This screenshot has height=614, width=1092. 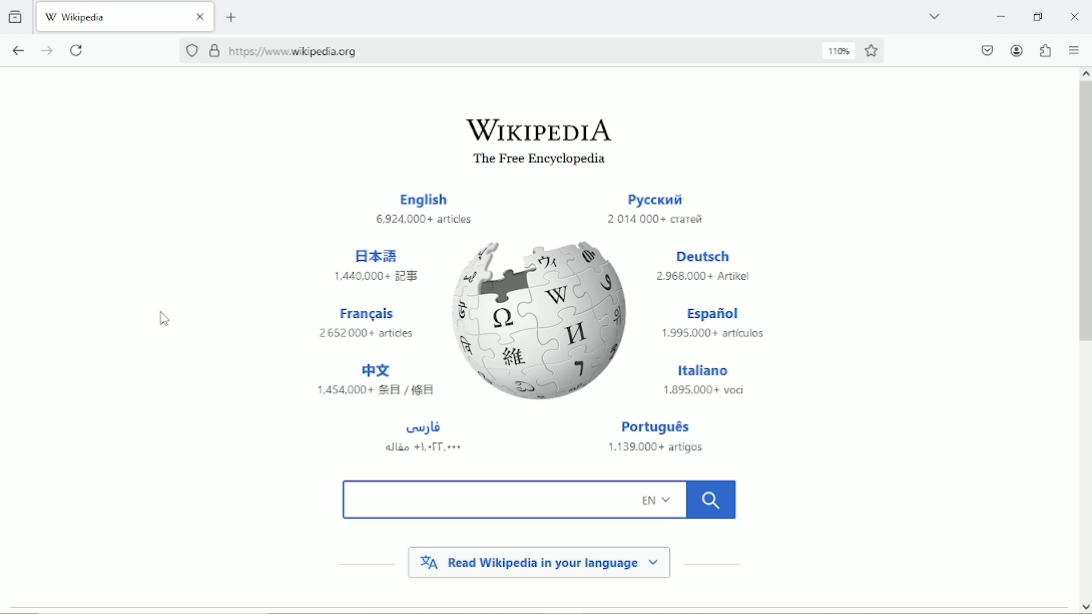 I want to click on Bookmark this page, so click(x=871, y=51).